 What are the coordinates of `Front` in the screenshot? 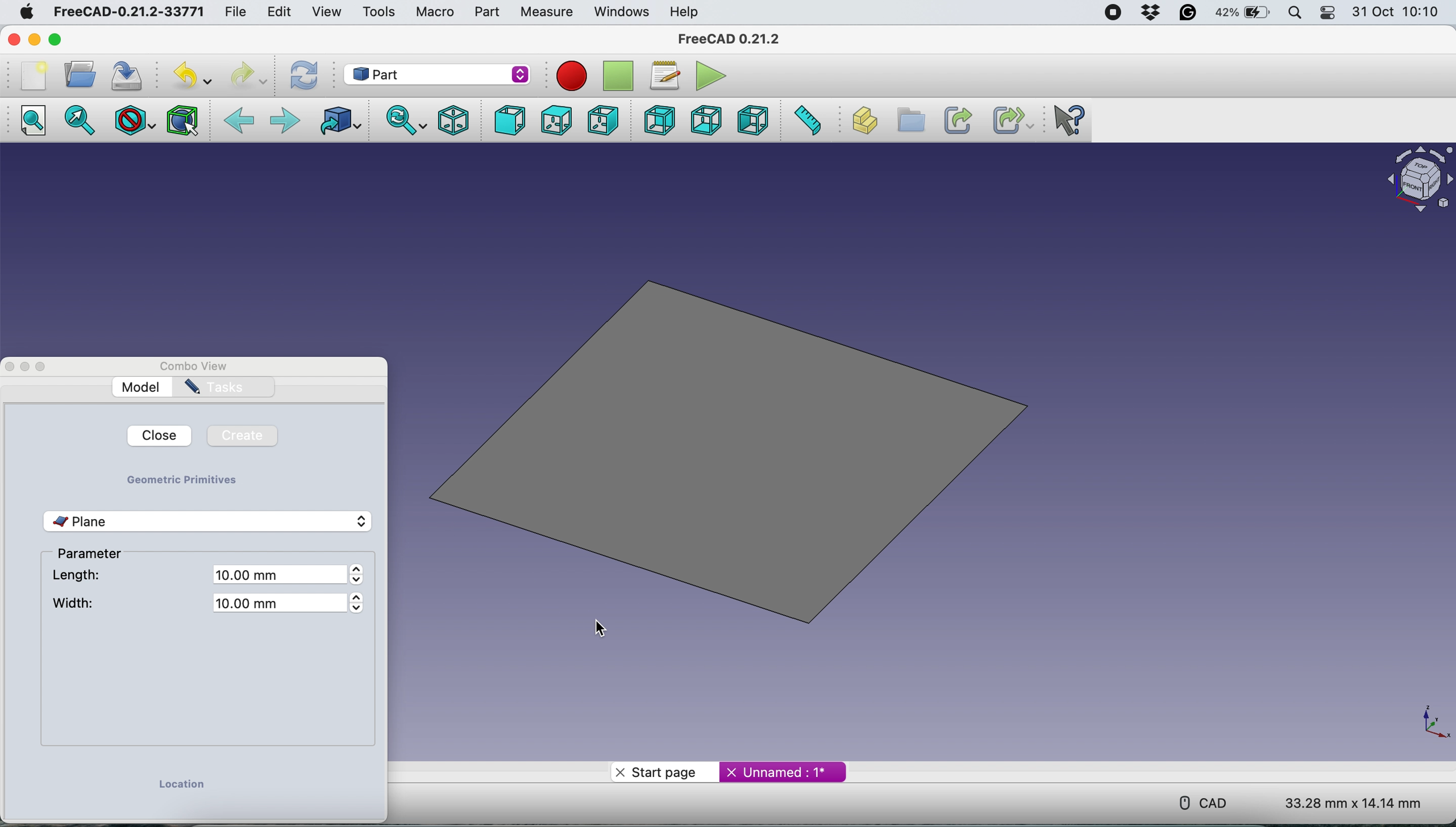 It's located at (505, 120).